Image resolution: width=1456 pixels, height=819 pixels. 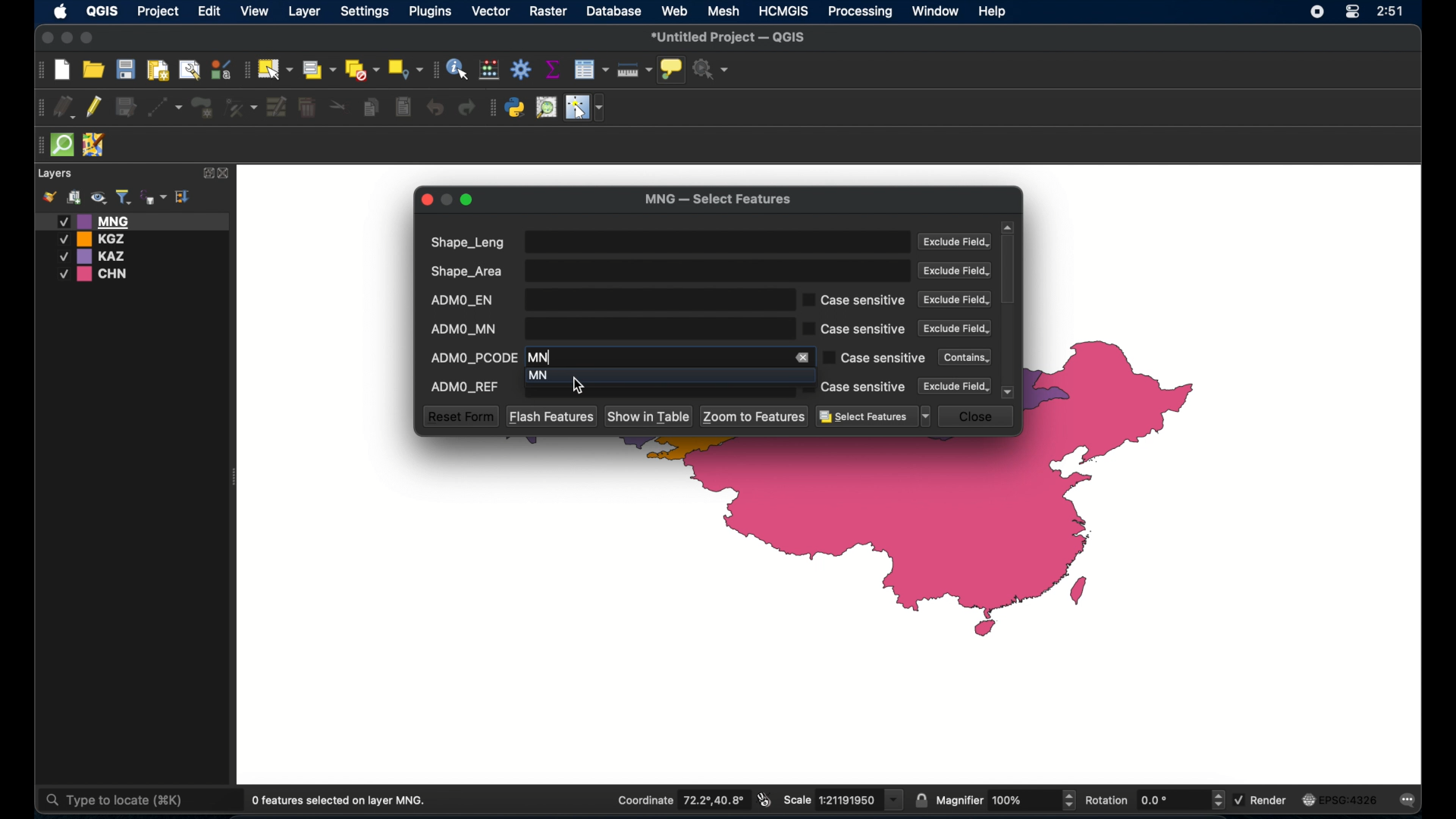 What do you see at coordinates (712, 69) in the screenshot?
I see `no action selected ` at bounding box center [712, 69].